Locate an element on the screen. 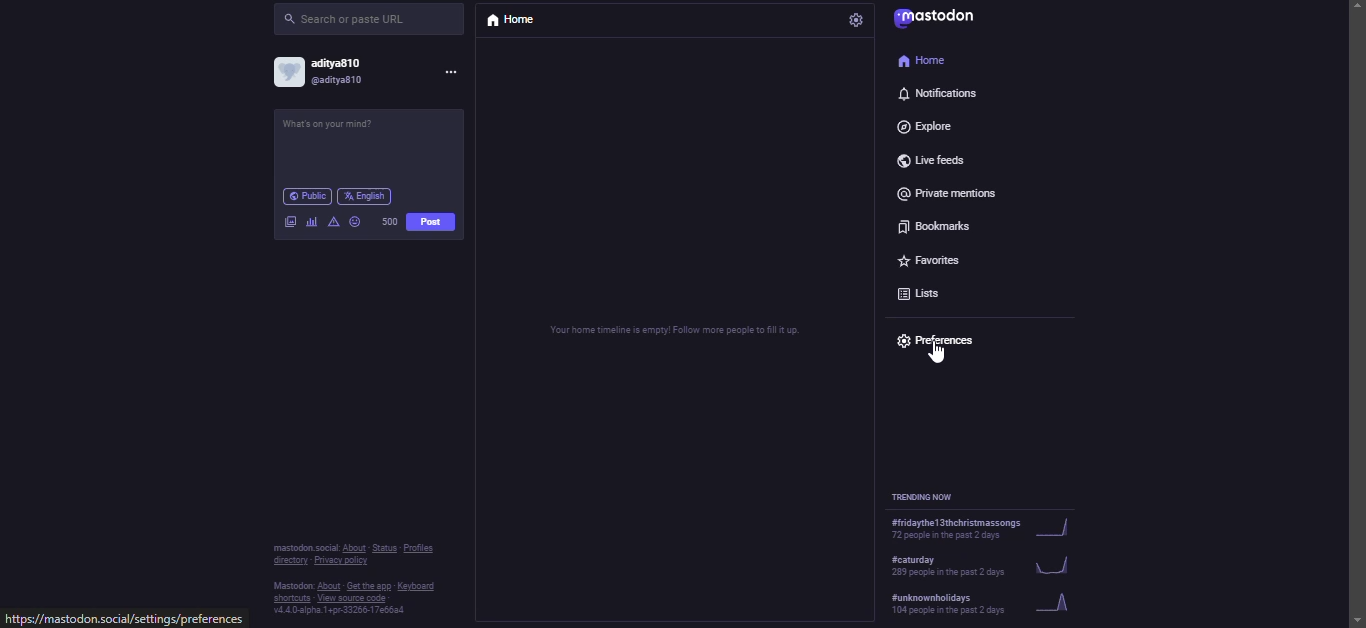 The width and height of the screenshot is (1366, 628). mastodon logo is located at coordinates (944, 17).